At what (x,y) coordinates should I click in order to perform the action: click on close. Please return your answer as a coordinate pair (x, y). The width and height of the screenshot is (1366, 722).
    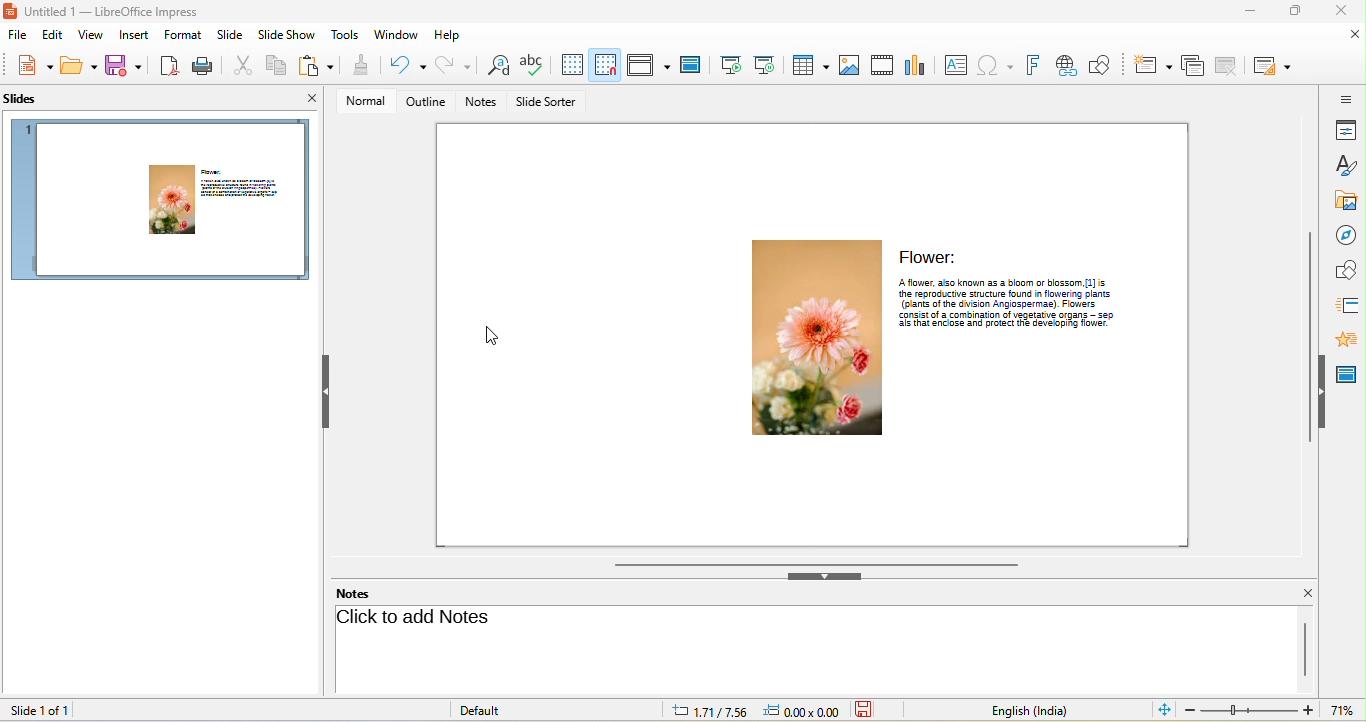
    Looking at the image, I should click on (315, 99).